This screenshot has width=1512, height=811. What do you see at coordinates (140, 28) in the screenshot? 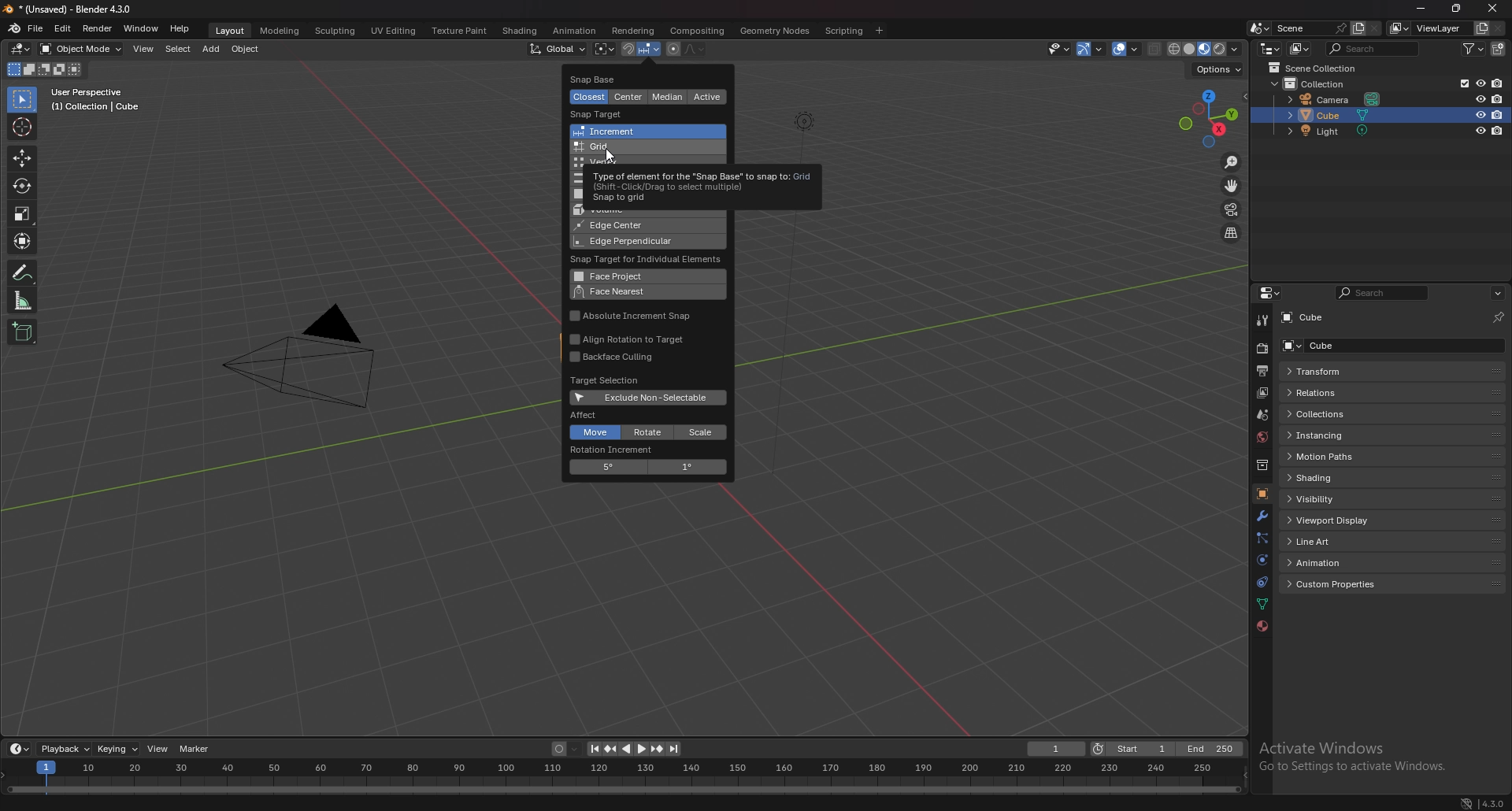
I see `window` at bounding box center [140, 28].